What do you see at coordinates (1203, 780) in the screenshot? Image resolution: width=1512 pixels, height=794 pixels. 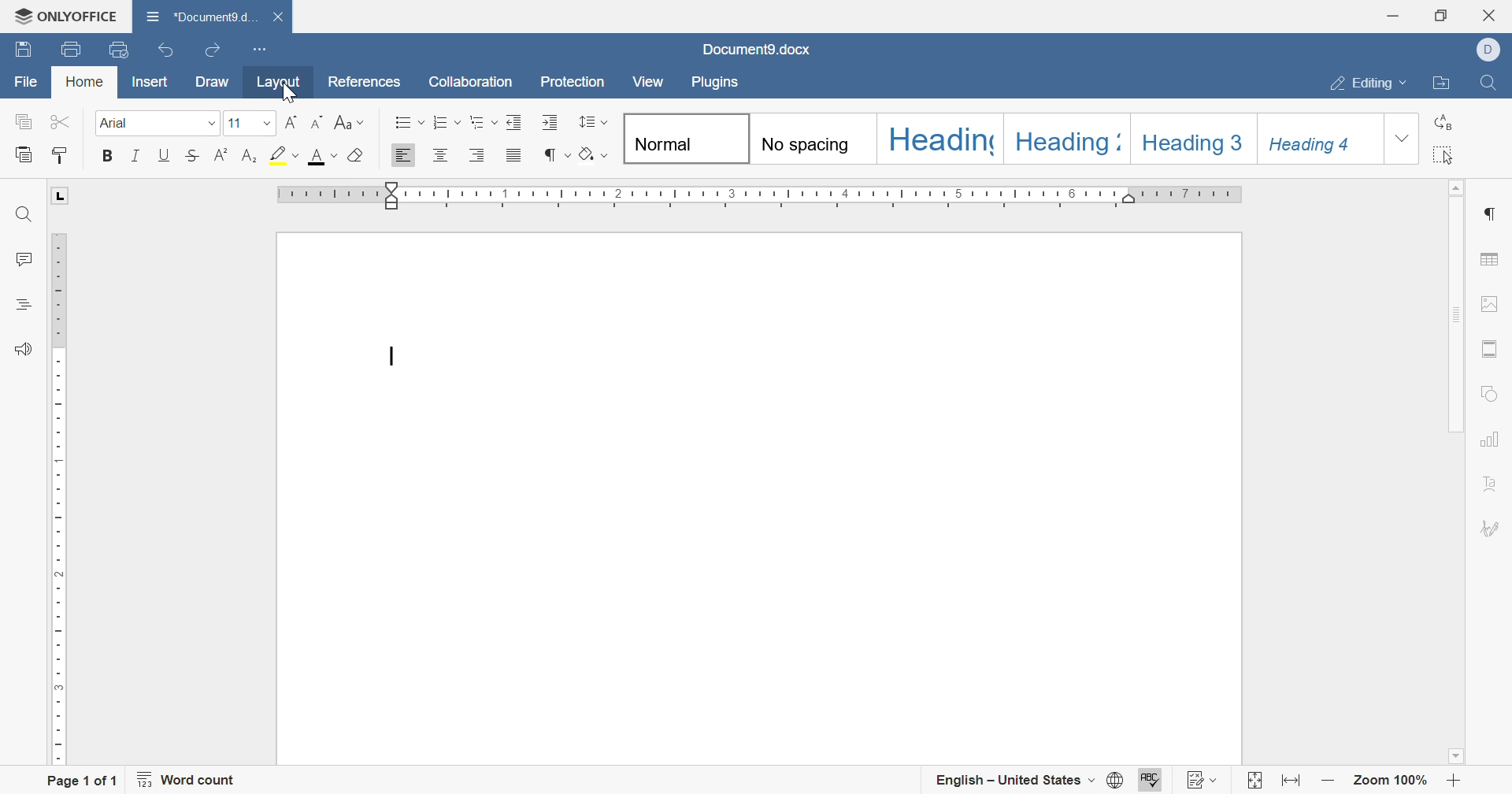 I see `track changes` at bounding box center [1203, 780].